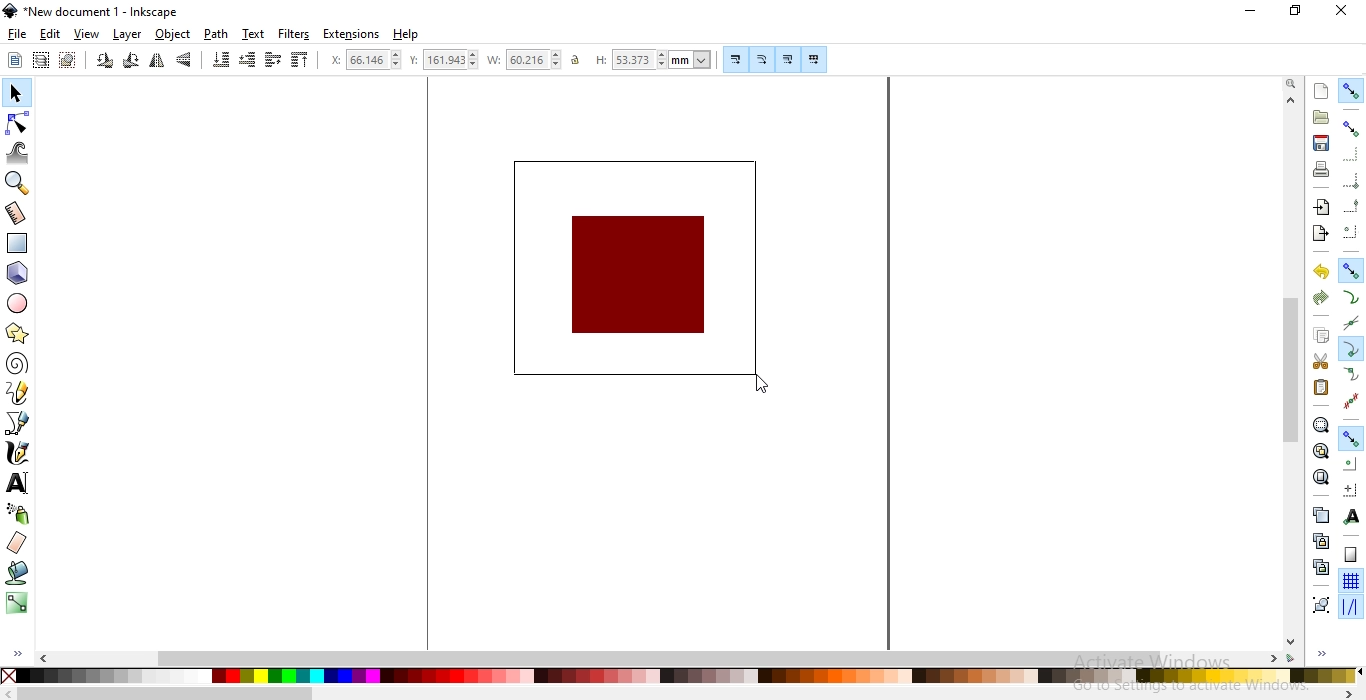  Describe the element at coordinates (98, 12) in the screenshot. I see `new document 1- Inkscape` at that location.